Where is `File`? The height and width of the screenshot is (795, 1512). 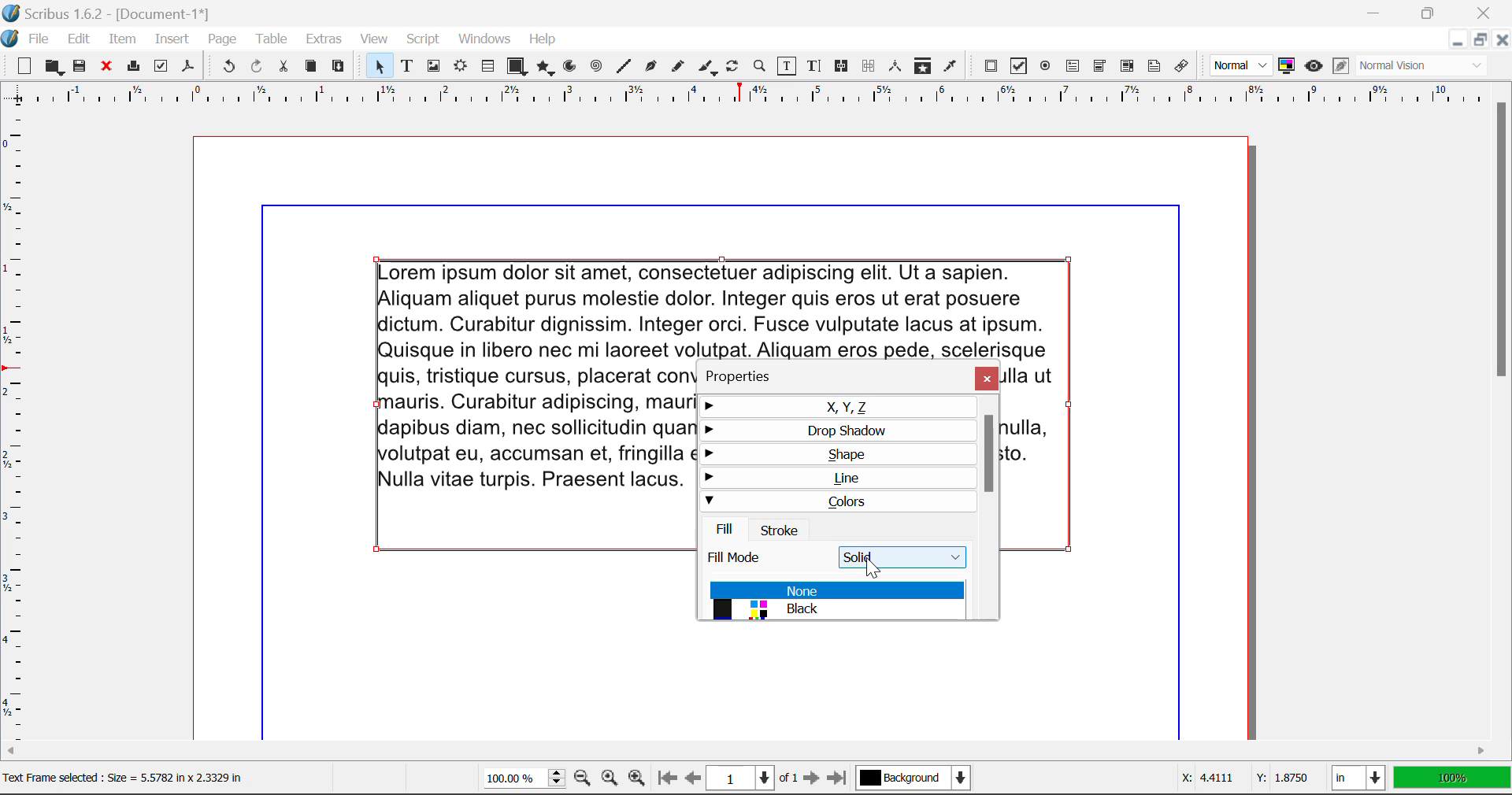 File is located at coordinates (39, 41).